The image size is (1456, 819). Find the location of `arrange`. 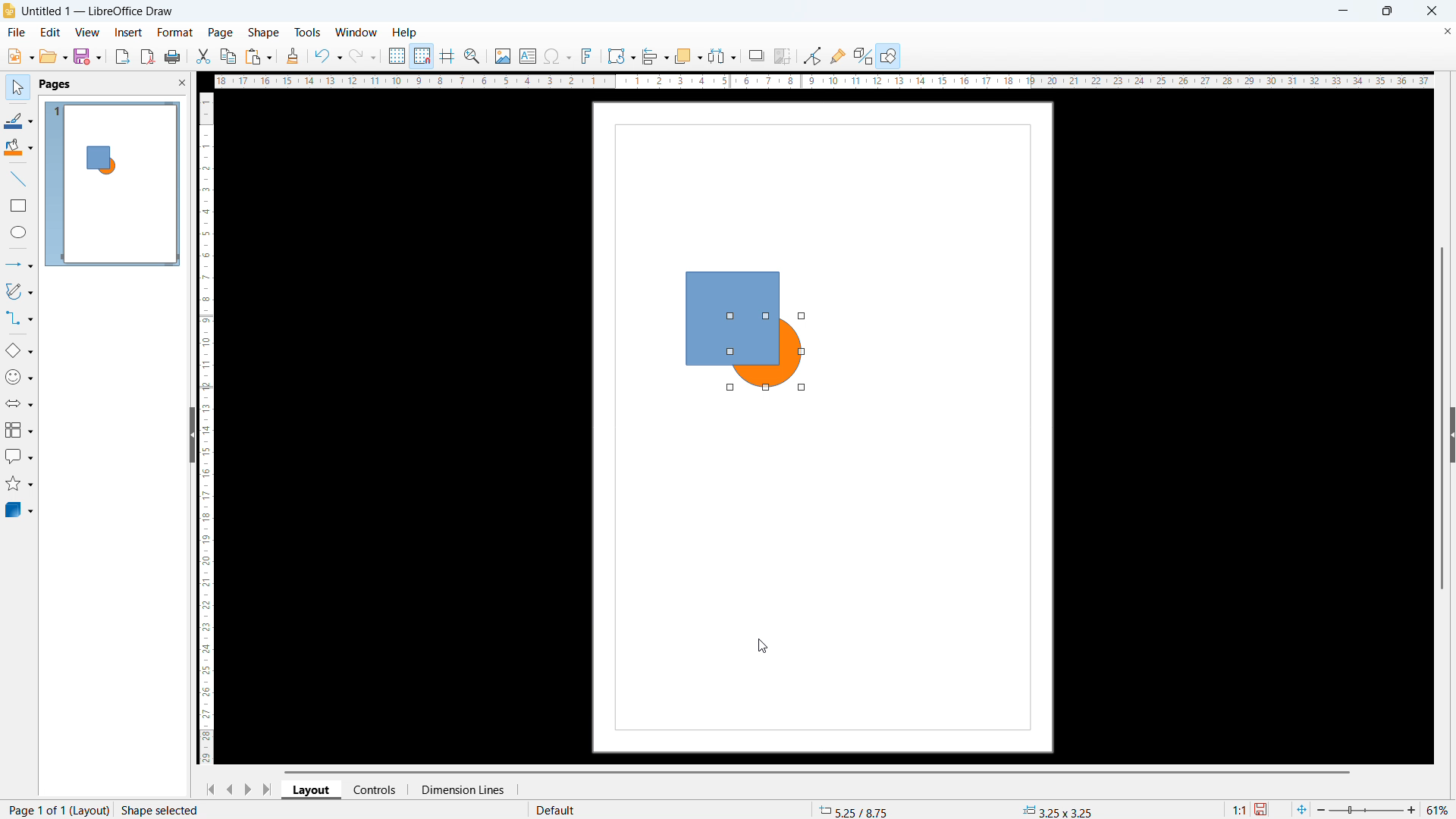

arrange is located at coordinates (689, 57).